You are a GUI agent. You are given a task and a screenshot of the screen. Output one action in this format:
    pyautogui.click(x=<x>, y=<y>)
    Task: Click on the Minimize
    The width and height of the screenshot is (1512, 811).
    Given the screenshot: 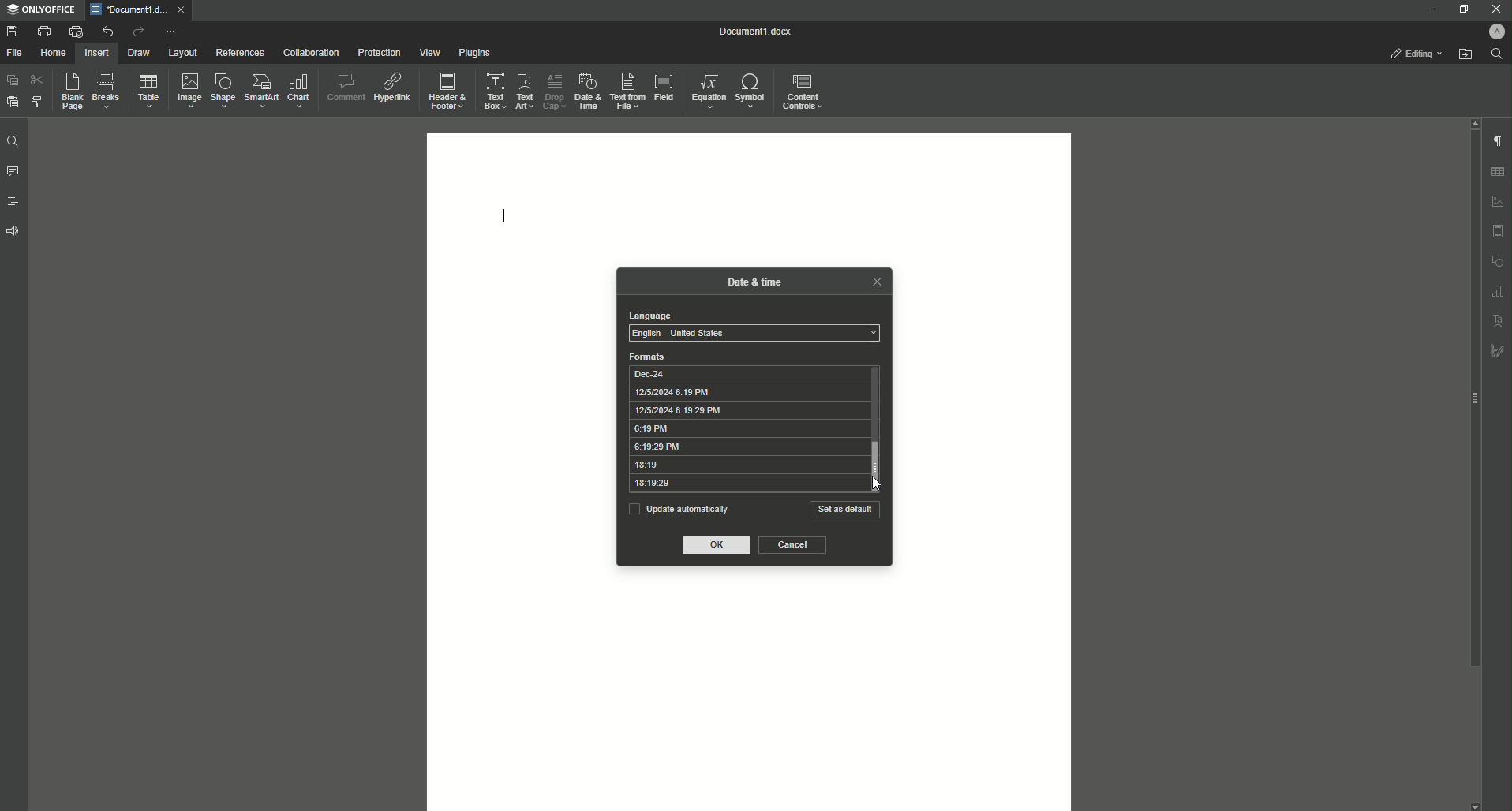 What is the action you would take?
    pyautogui.click(x=1429, y=9)
    